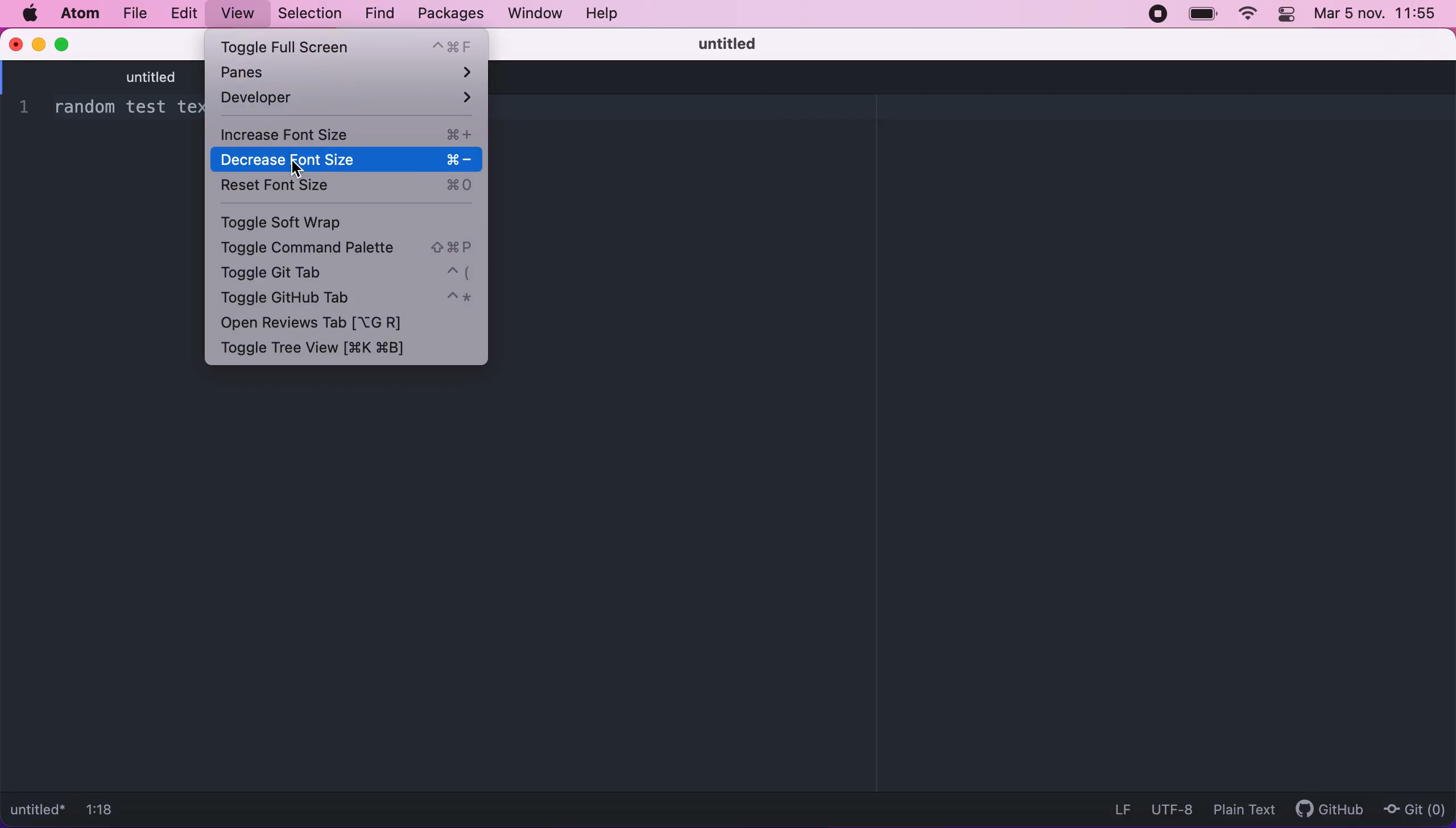 The image size is (1456, 828). What do you see at coordinates (38, 45) in the screenshot?
I see `minimize` at bounding box center [38, 45].